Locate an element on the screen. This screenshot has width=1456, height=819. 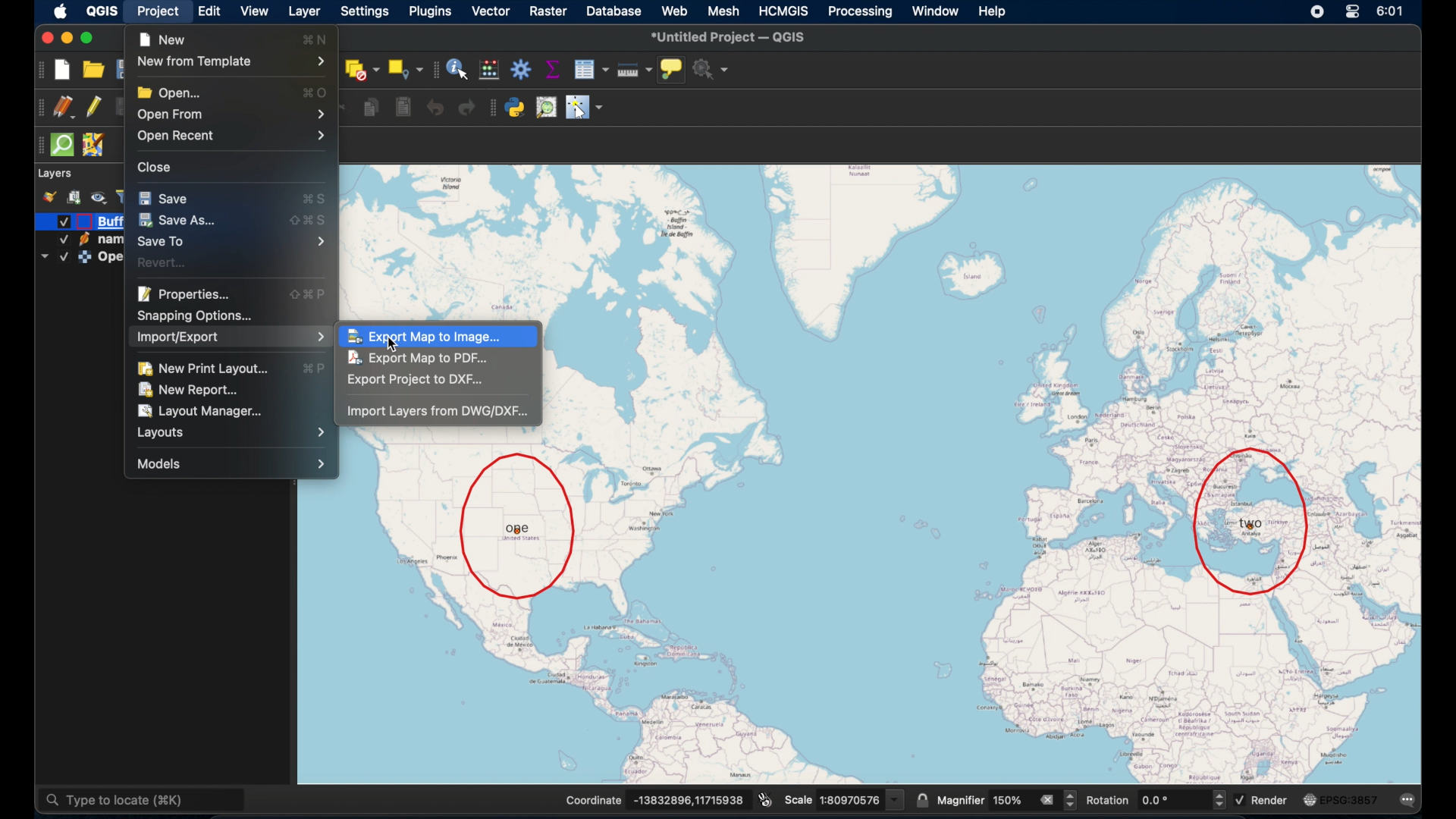
toggle editing is located at coordinates (93, 106).